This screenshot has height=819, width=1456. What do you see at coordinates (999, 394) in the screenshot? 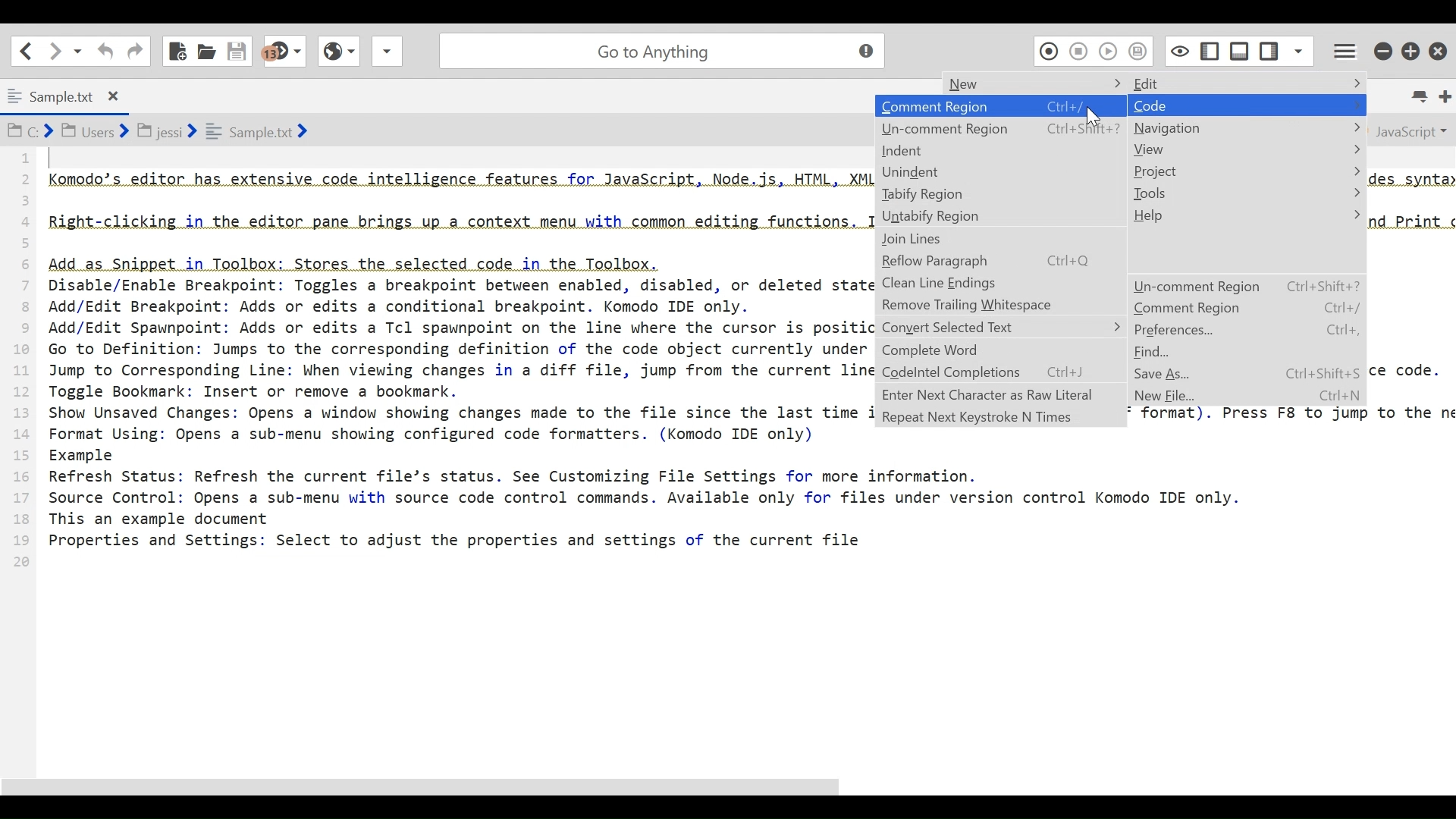
I see `Enter Next Character as Raw Literal` at bounding box center [999, 394].